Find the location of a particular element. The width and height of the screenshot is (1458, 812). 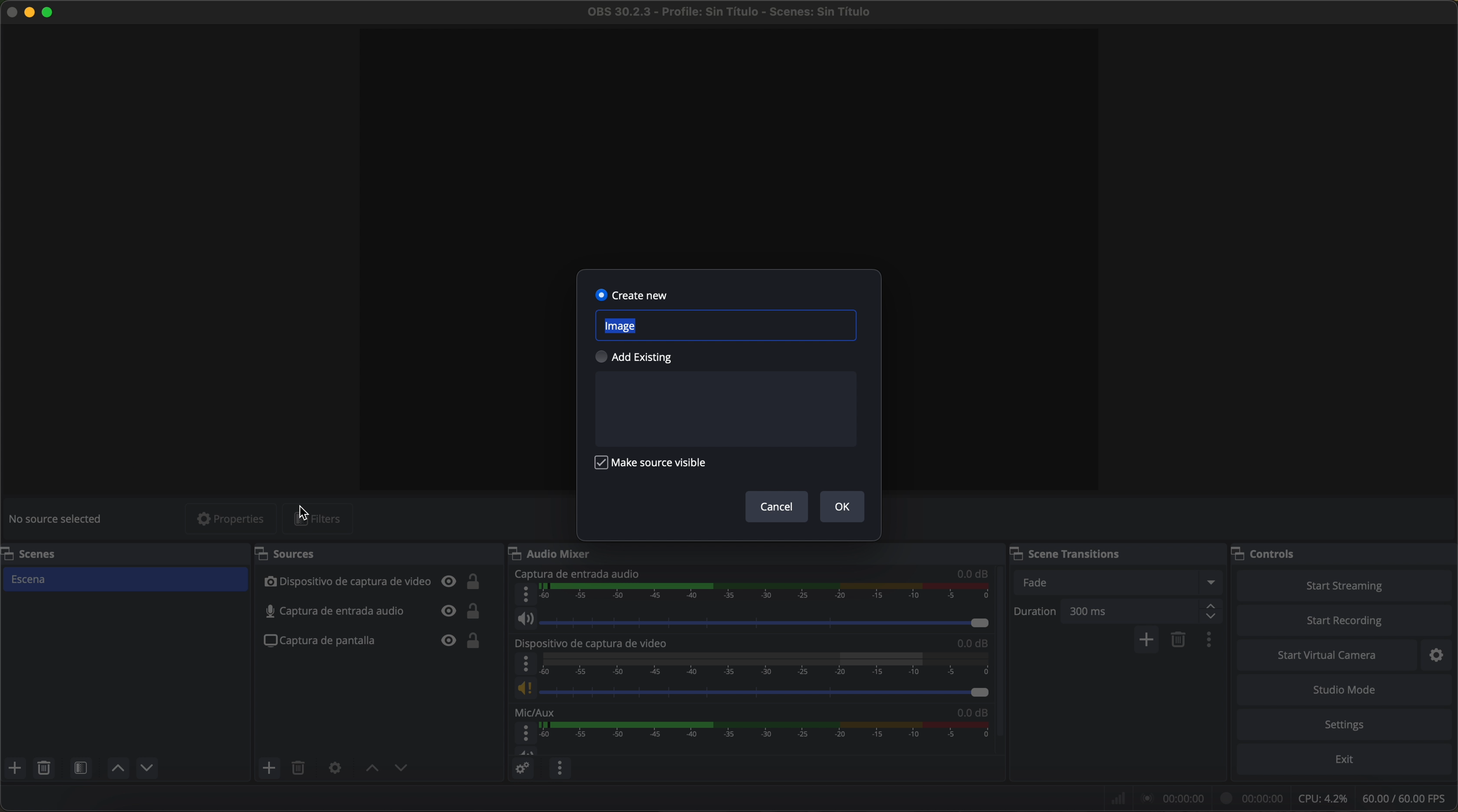

0.0 dB is located at coordinates (974, 573).